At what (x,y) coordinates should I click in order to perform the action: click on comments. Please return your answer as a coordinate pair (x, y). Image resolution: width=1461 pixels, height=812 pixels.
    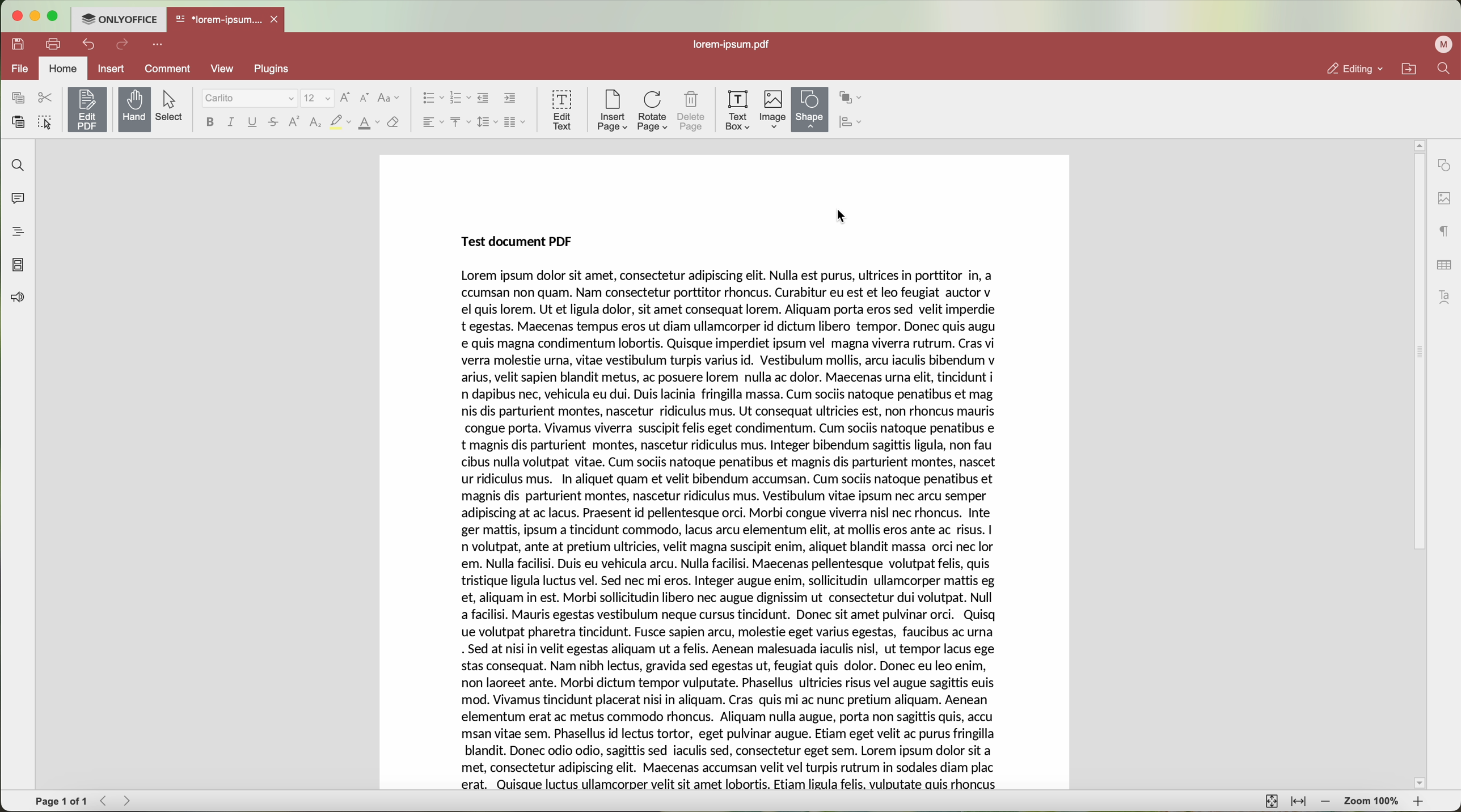
    Looking at the image, I should click on (17, 201).